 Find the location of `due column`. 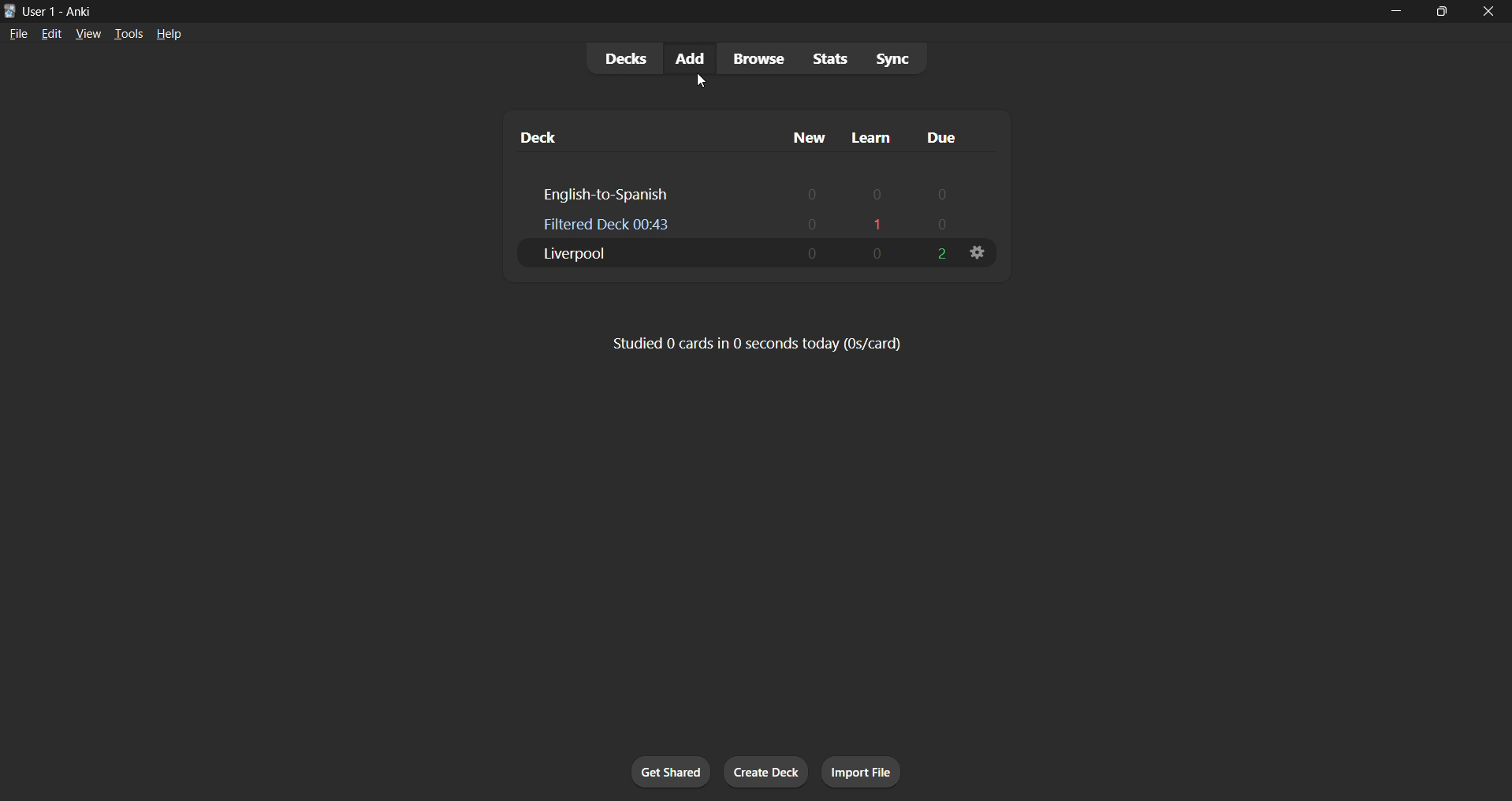

due column is located at coordinates (959, 136).